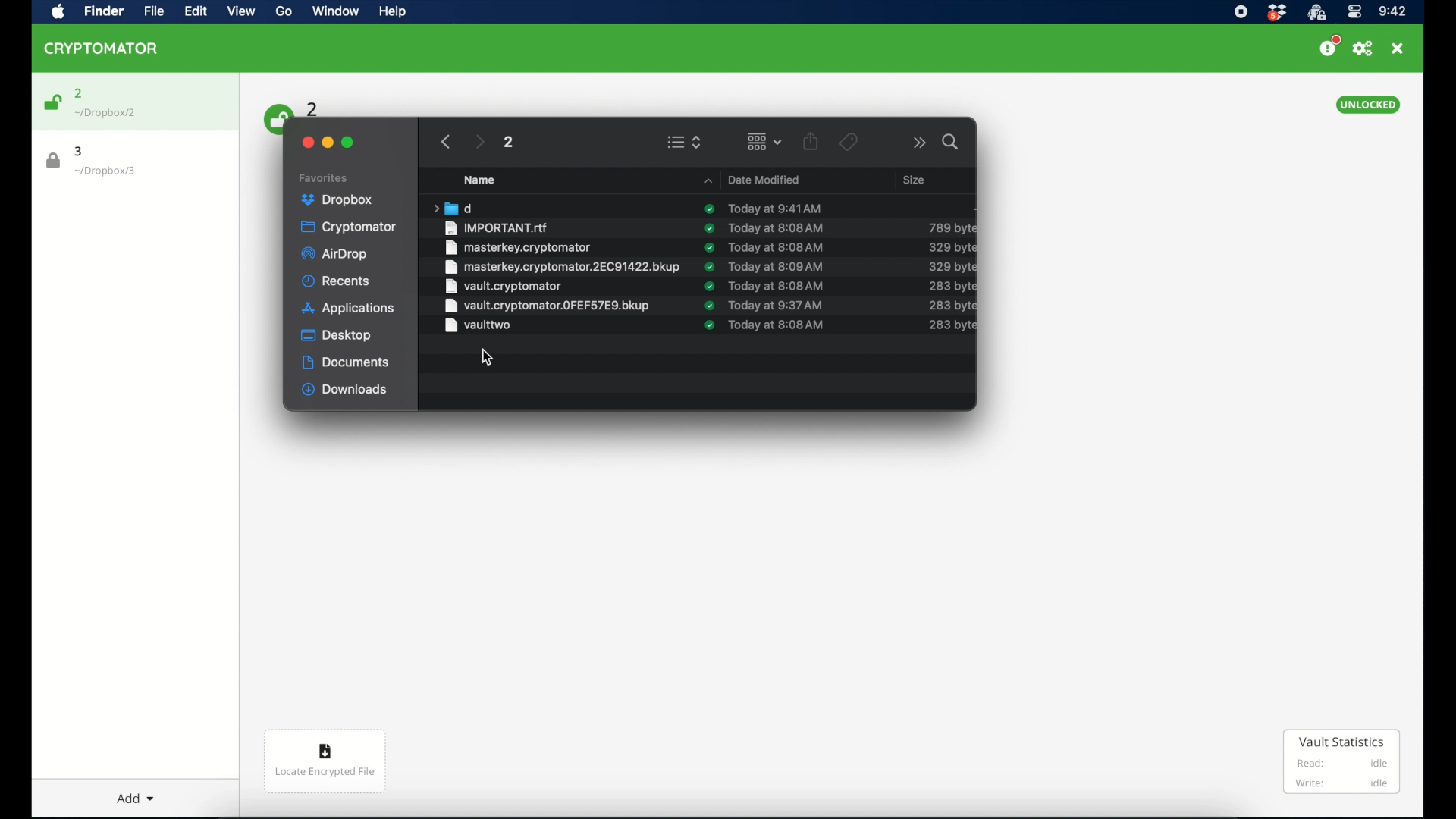 This screenshot has height=819, width=1456. What do you see at coordinates (752, 179) in the screenshot?
I see `date modified` at bounding box center [752, 179].